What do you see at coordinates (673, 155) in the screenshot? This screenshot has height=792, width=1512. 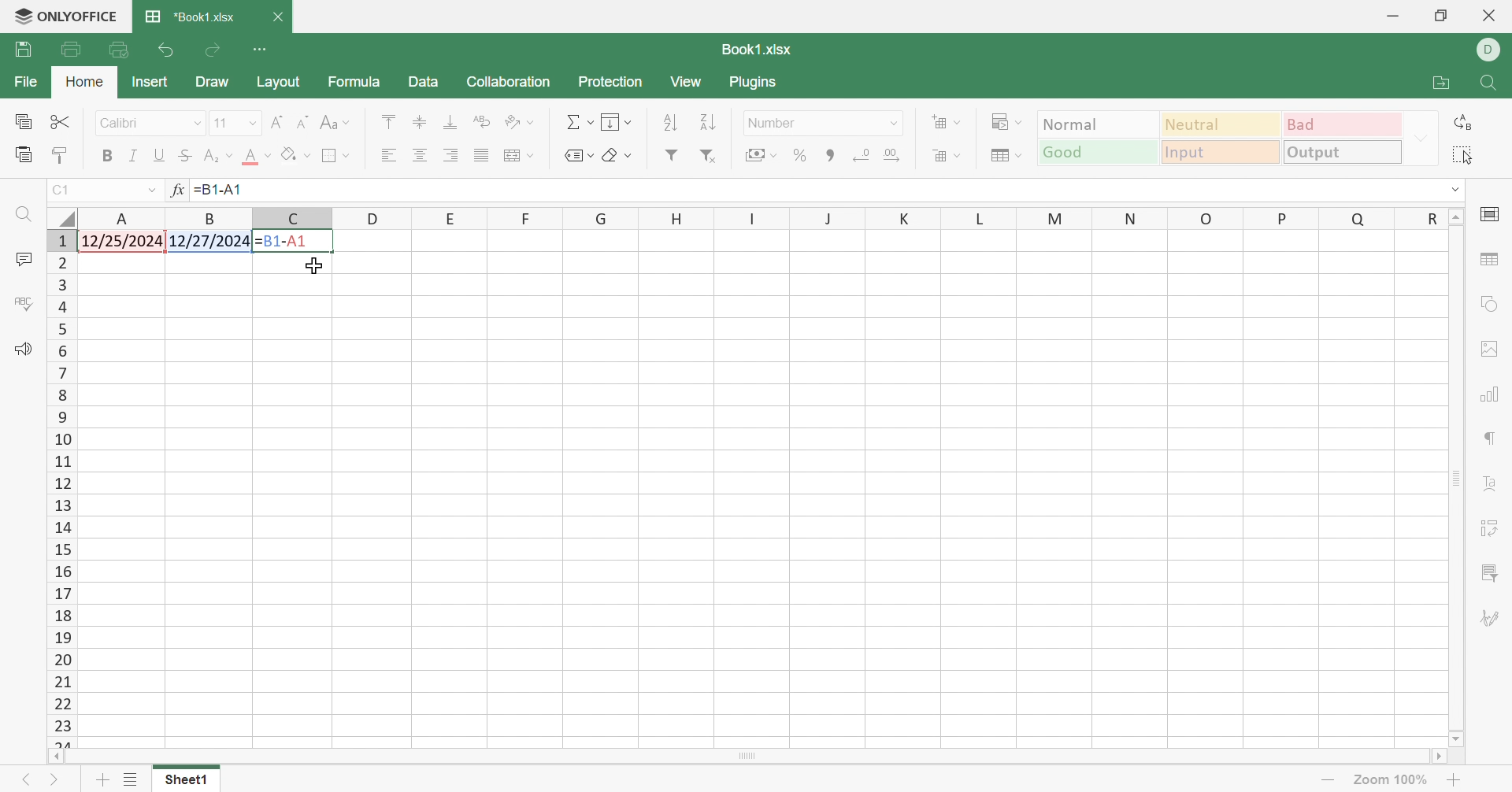 I see `Filter` at bounding box center [673, 155].